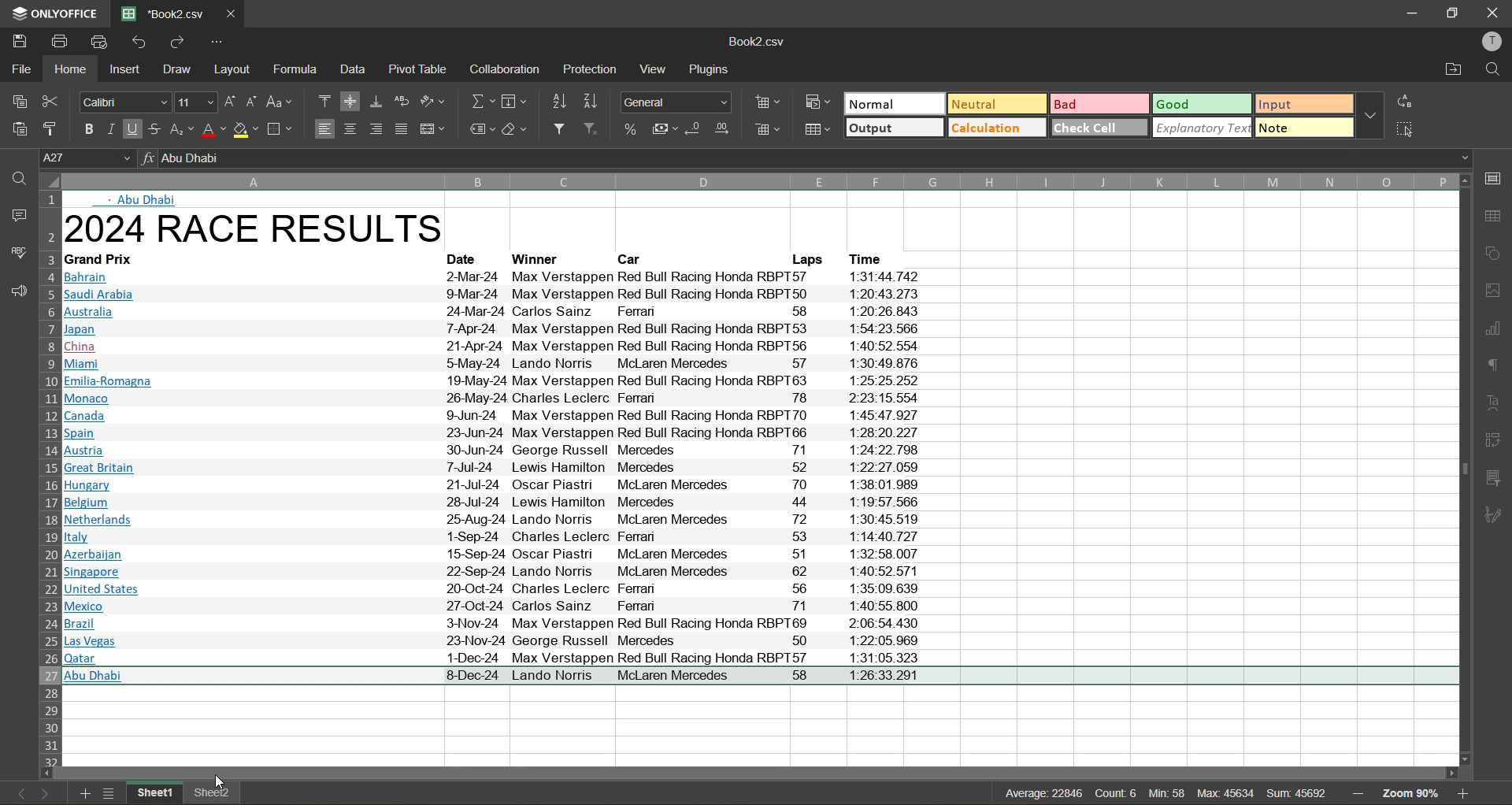 This screenshot has width=1512, height=805. Describe the element at coordinates (822, 133) in the screenshot. I see `format as table` at that location.